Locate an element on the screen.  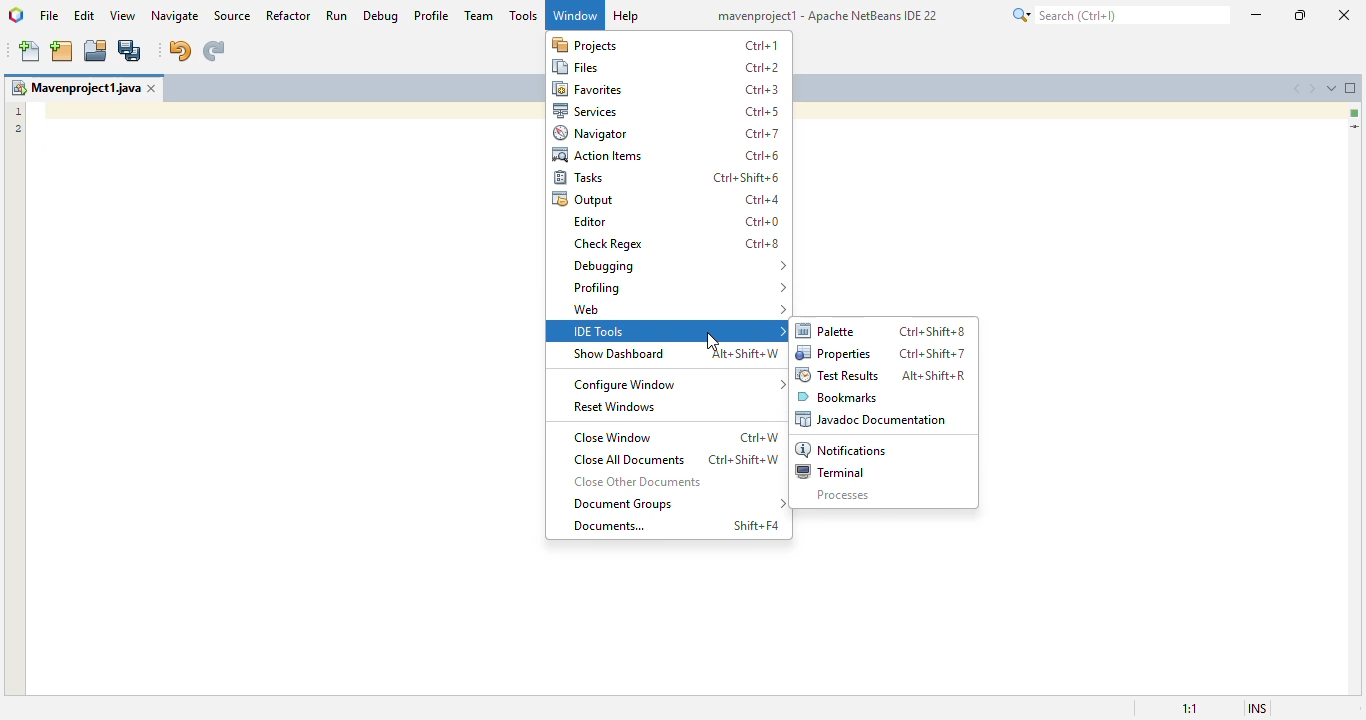
maximize window is located at coordinates (1351, 88).